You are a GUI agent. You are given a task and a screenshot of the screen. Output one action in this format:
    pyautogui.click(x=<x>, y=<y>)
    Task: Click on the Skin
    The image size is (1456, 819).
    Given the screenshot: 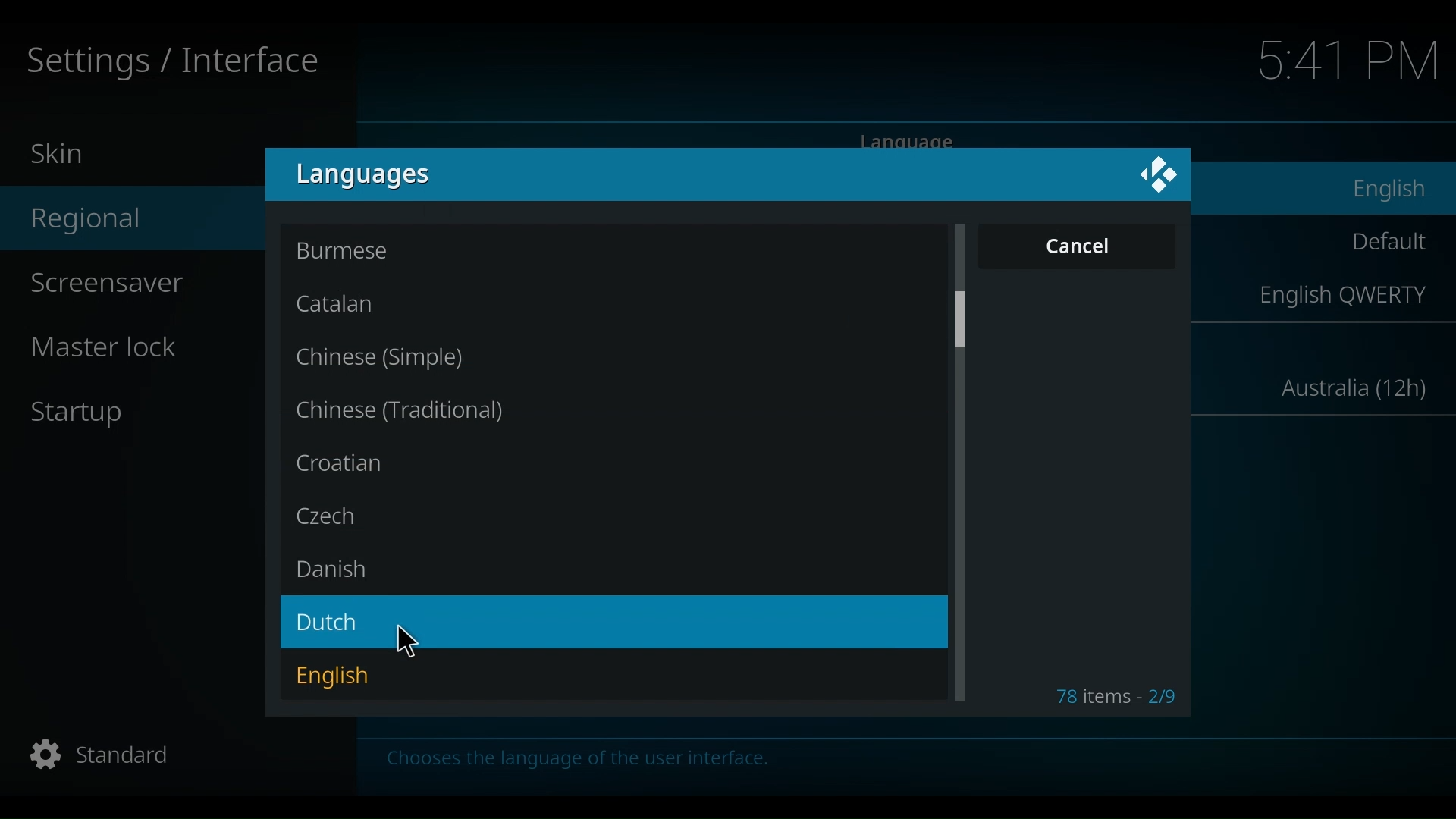 What is the action you would take?
    pyautogui.click(x=66, y=154)
    